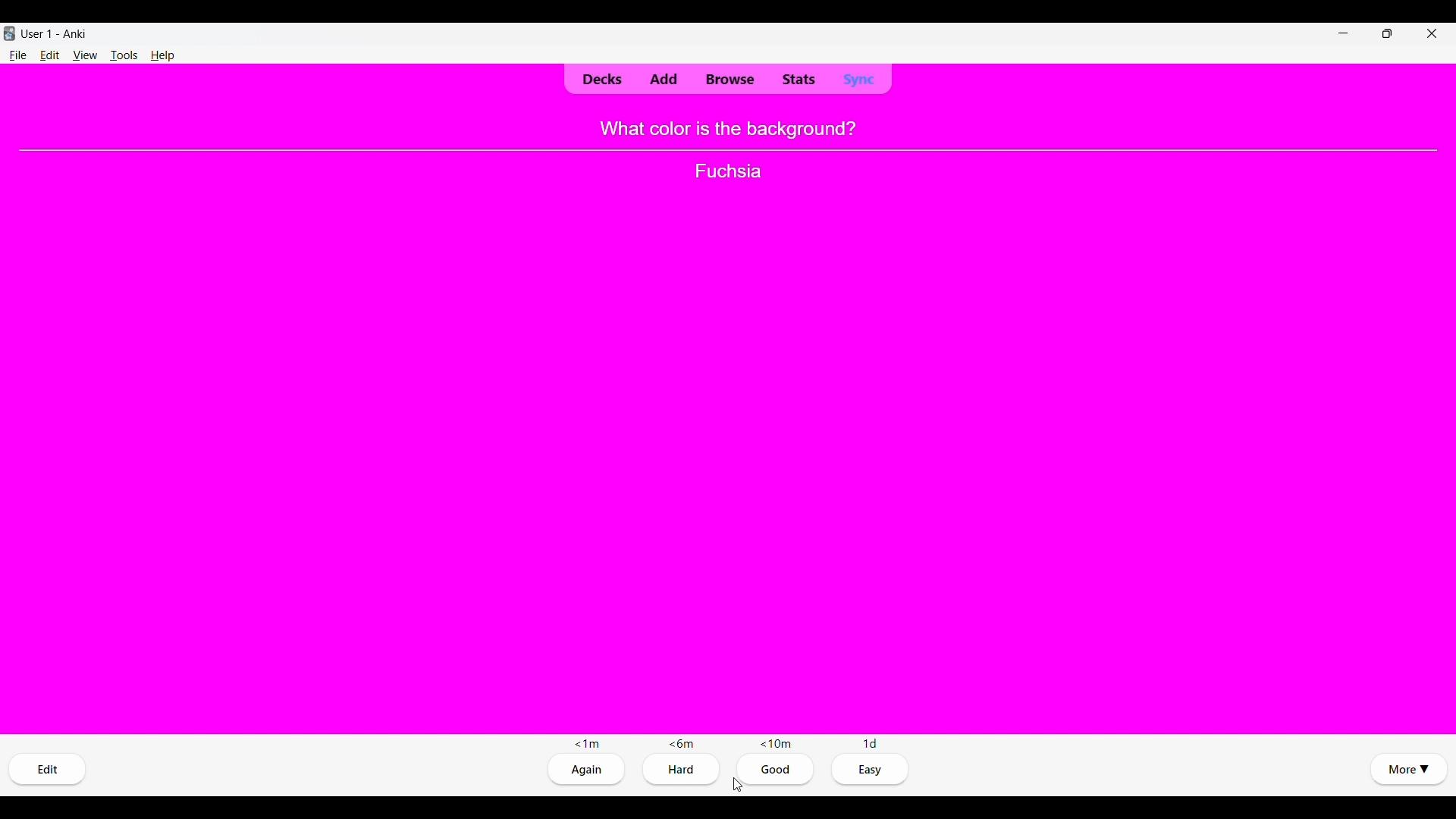  What do you see at coordinates (47, 769) in the screenshot?
I see `Edit card` at bounding box center [47, 769].